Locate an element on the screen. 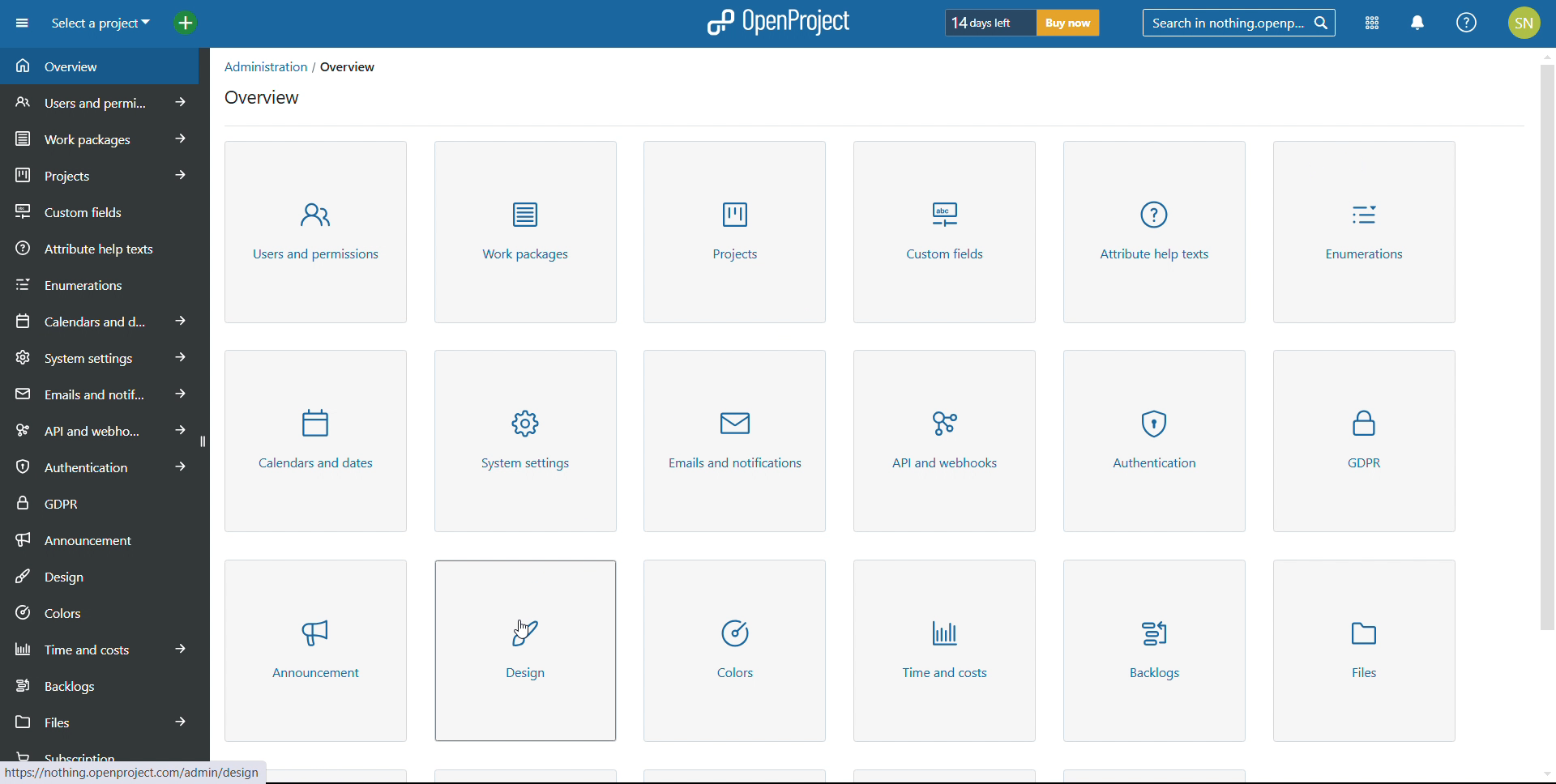  logo is located at coordinates (776, 23).